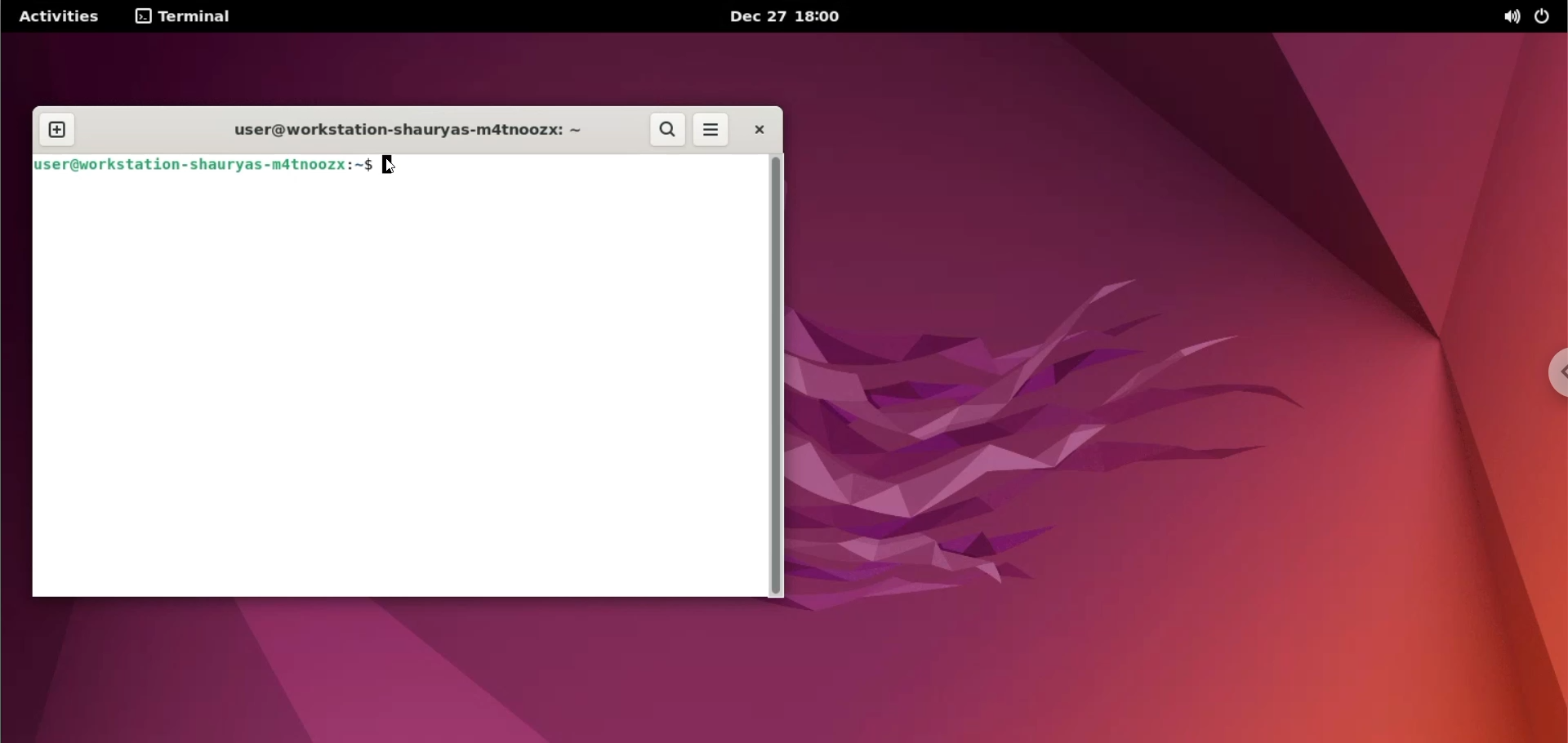  I want to click on  user@workstation-shauryas-m4tnoozx: ~, so click(394, 132).